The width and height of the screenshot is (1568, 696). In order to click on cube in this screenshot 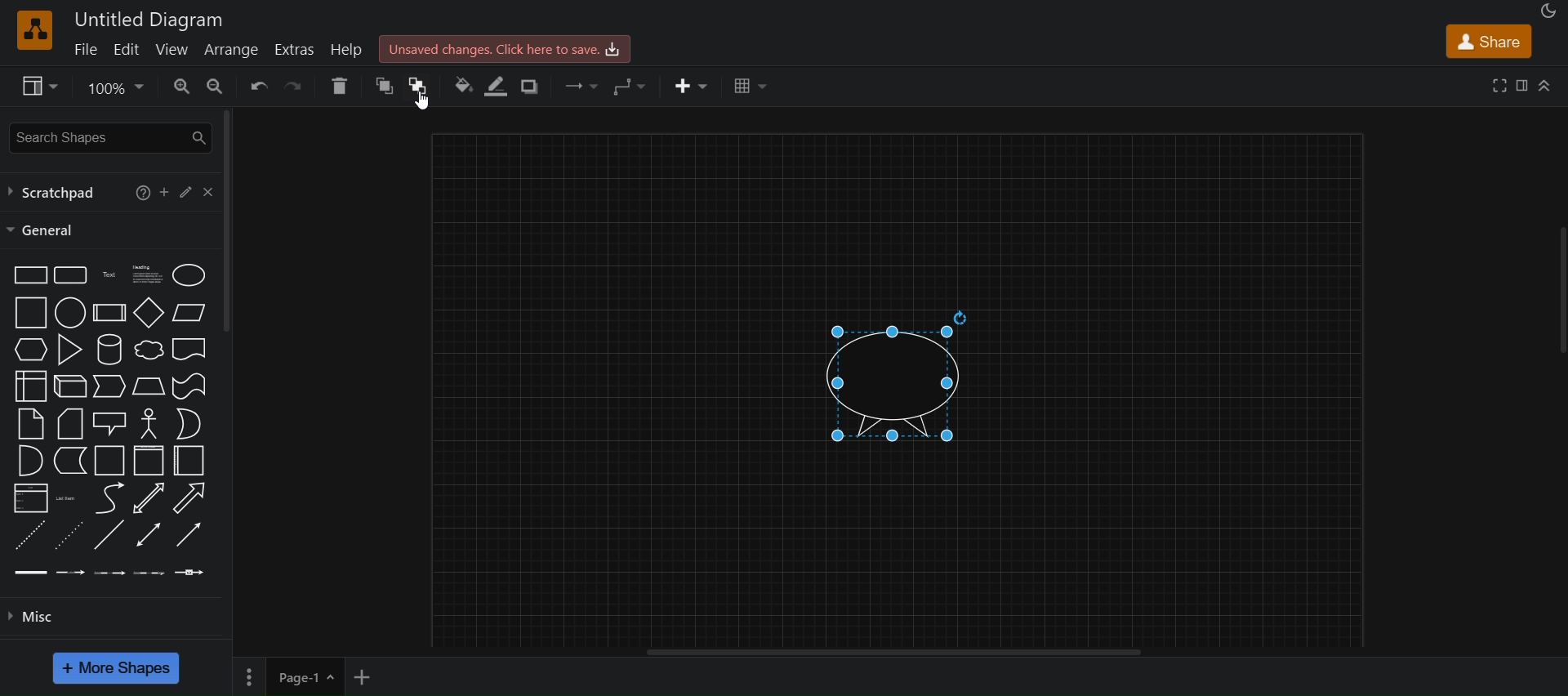, I will do `click(69, 386)`.